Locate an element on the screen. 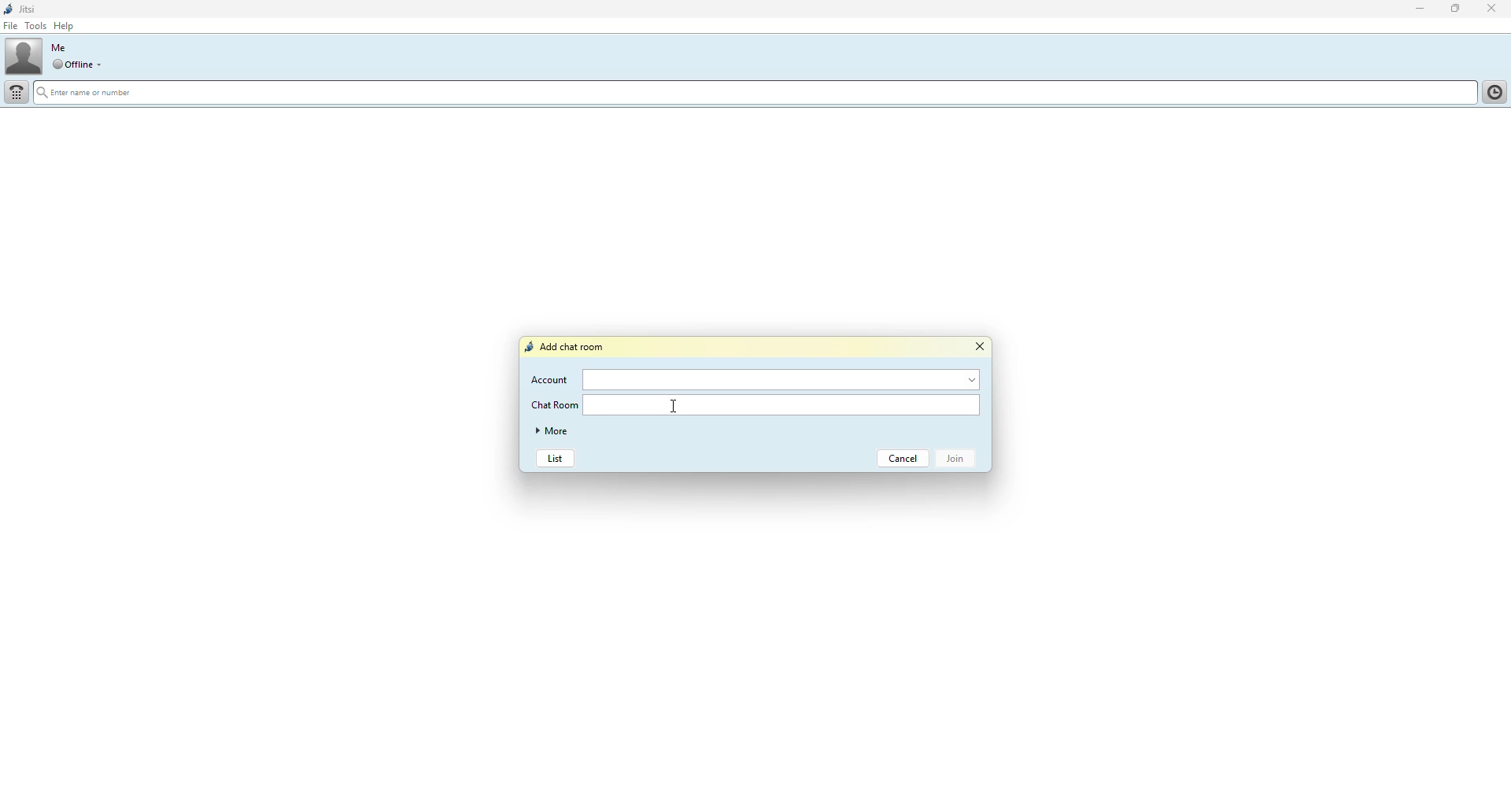 Image resolution: width=1511 pixels, height=812 pixels. jitsi is located at coordinates (24, 8).